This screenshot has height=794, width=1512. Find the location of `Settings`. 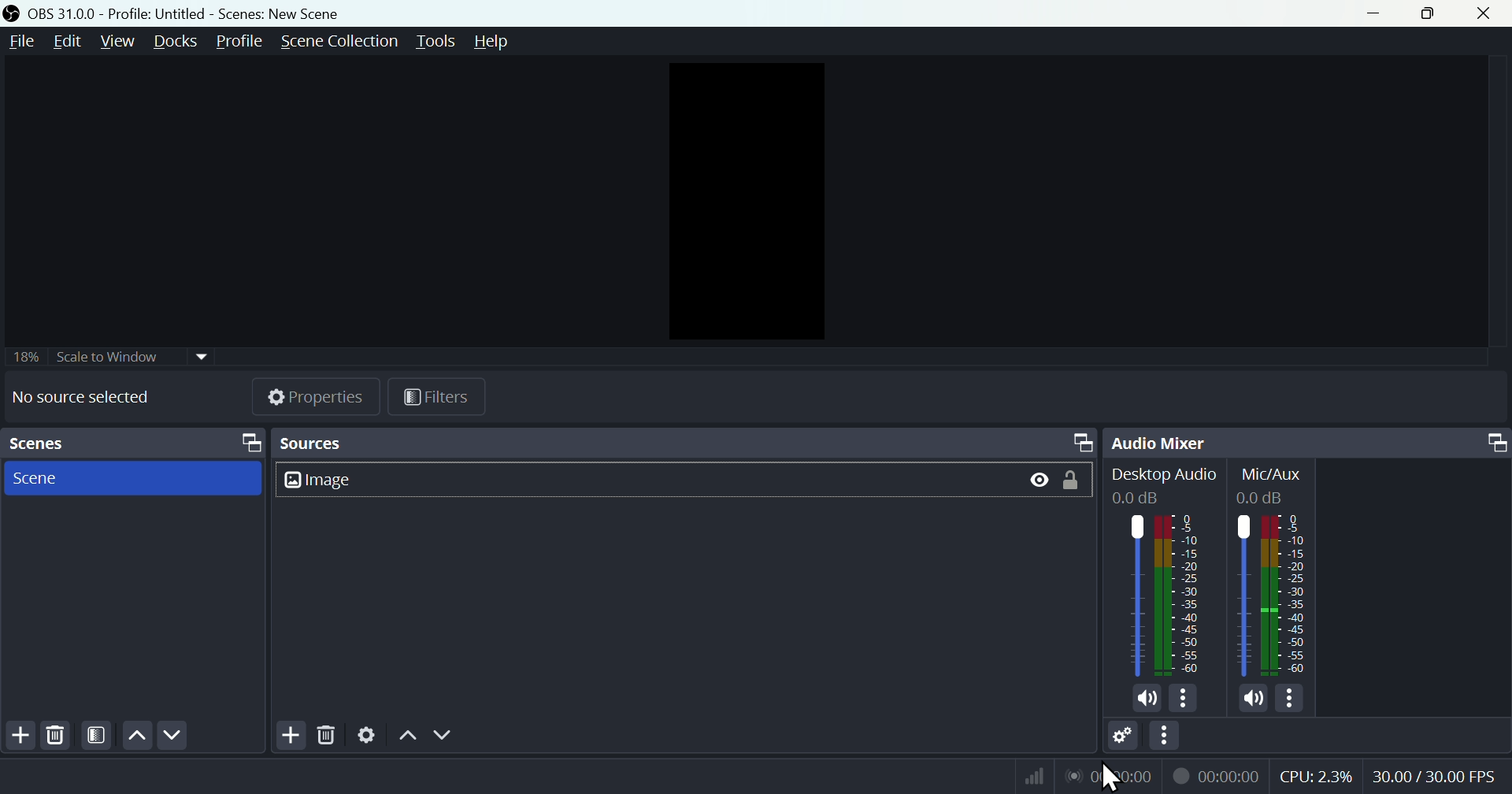

Settings is located at coordinates (365, 736).